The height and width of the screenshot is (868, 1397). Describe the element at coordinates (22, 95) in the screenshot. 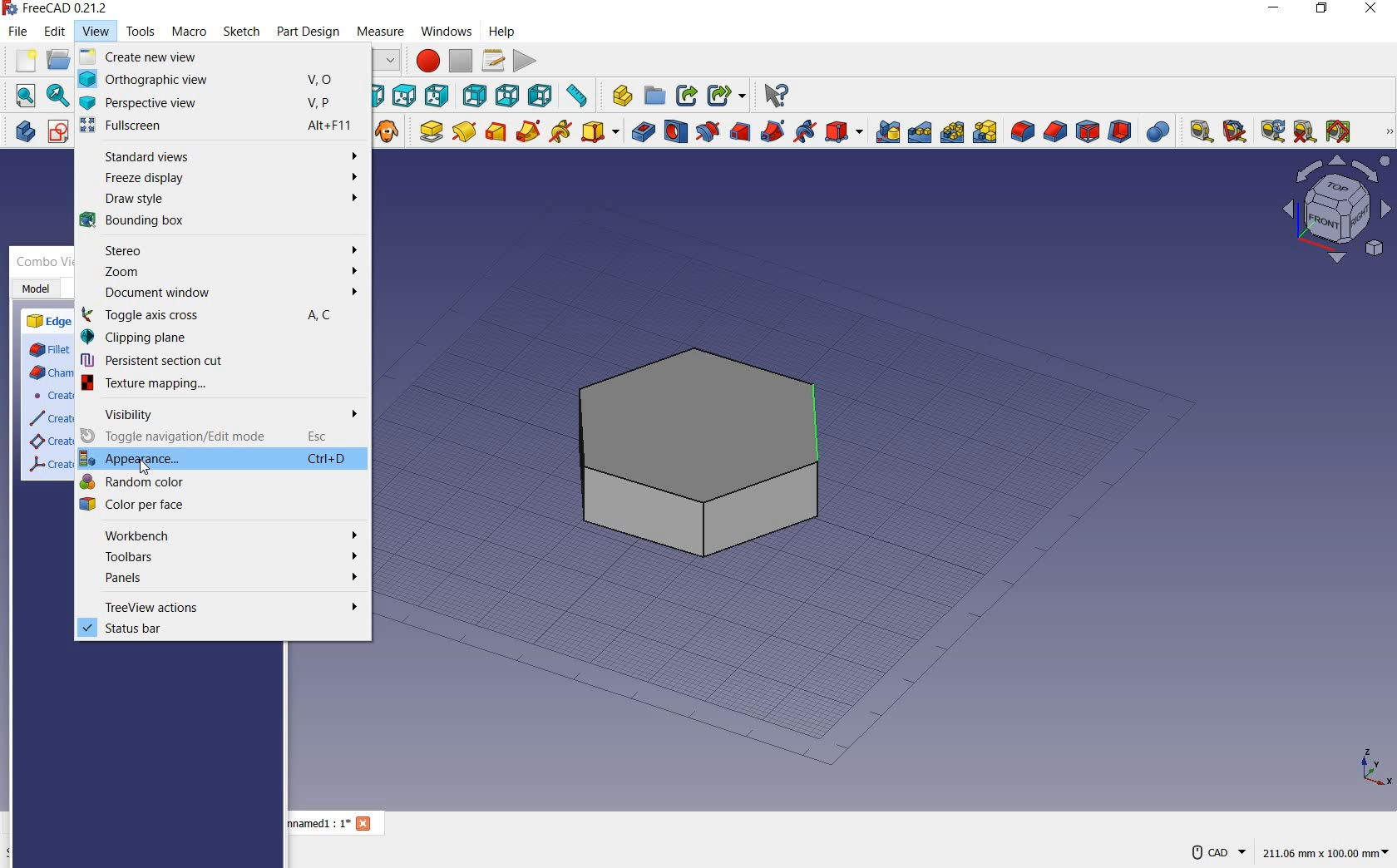

I see `fit all` at that location.